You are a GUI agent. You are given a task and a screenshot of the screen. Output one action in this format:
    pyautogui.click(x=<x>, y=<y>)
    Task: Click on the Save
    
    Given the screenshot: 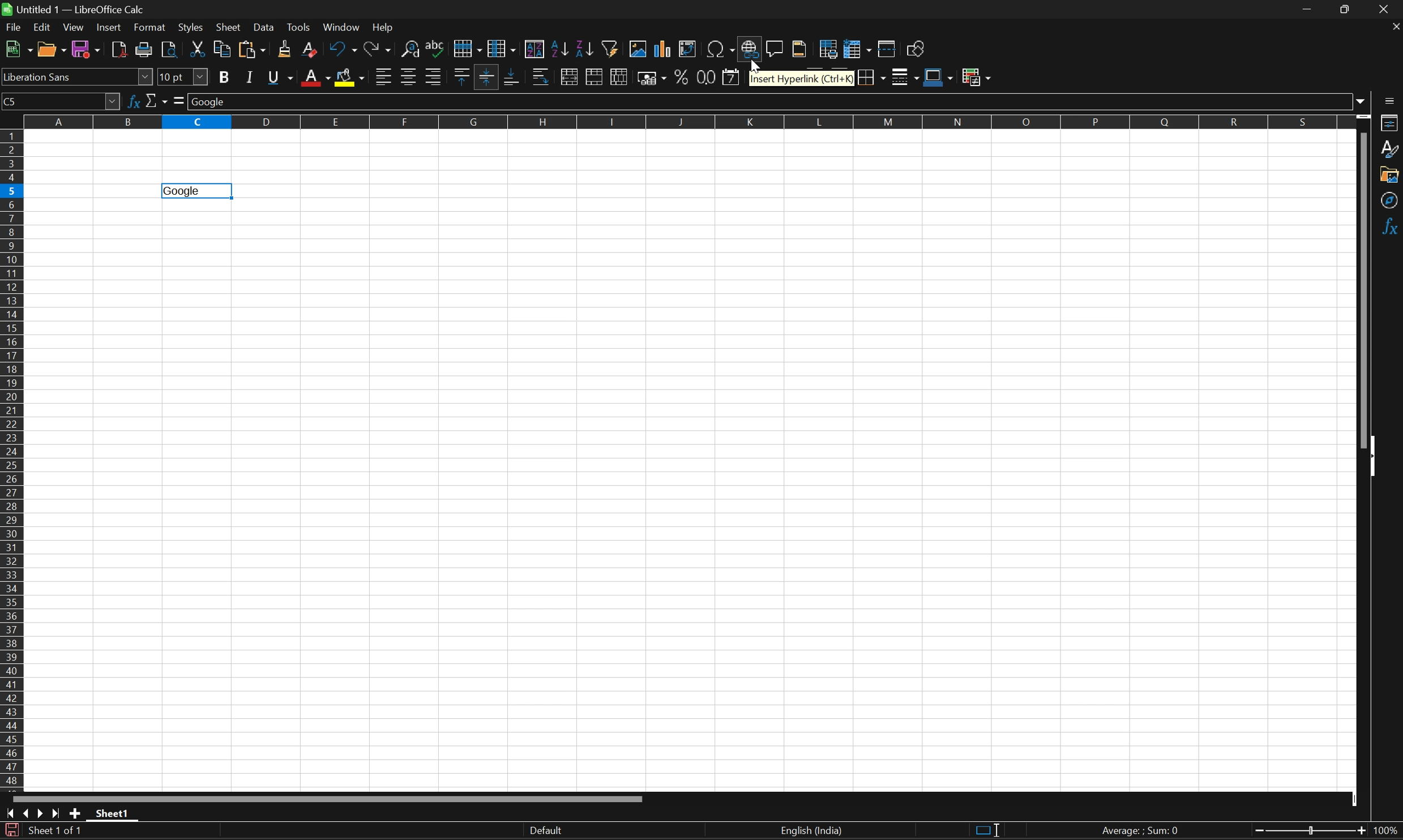 What is the action you would take?
    pyautogui.click(x=86, y=48)
    